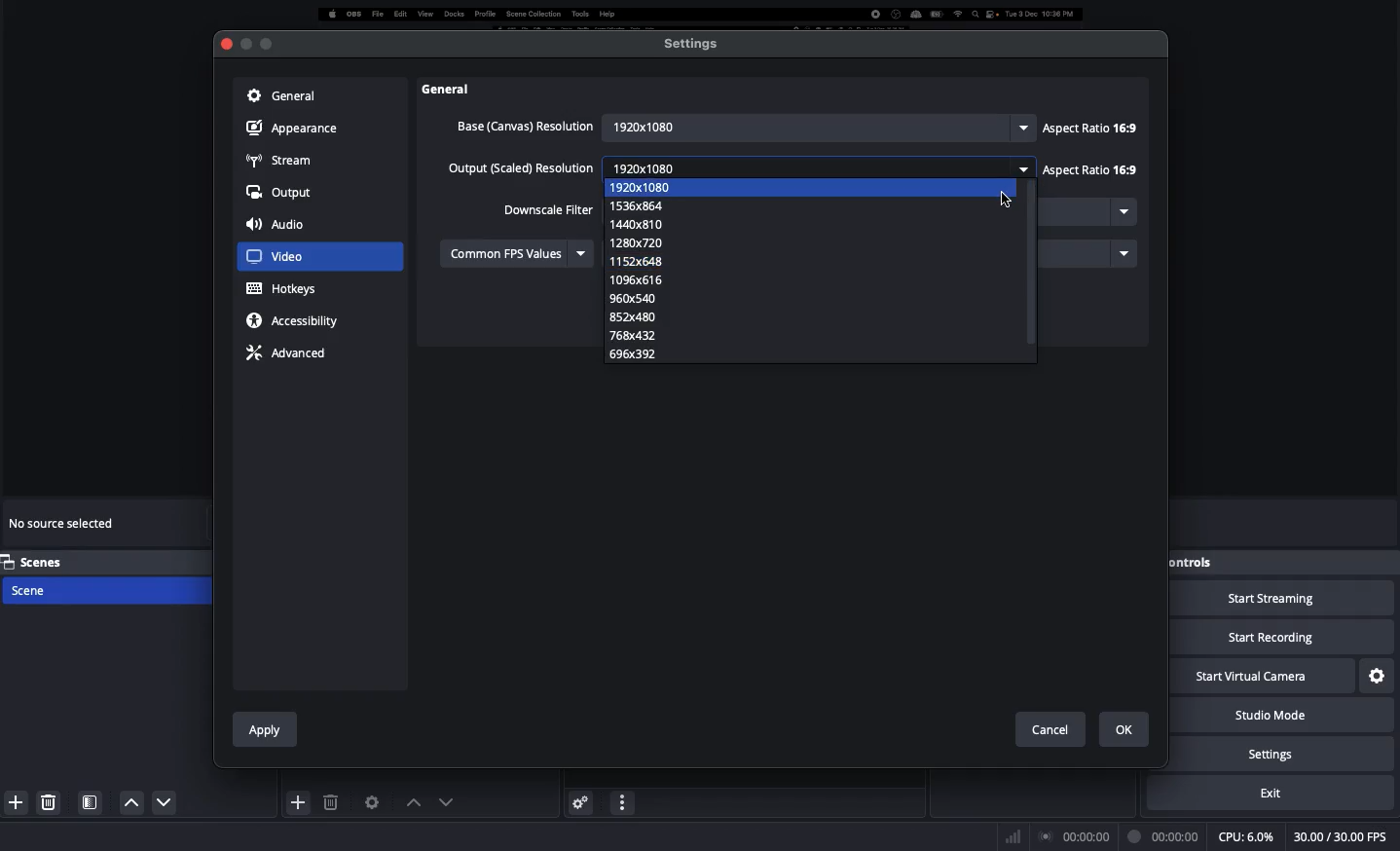 The image size is (1400, 851). I want to click on Common FPS values, so click(519, 252).